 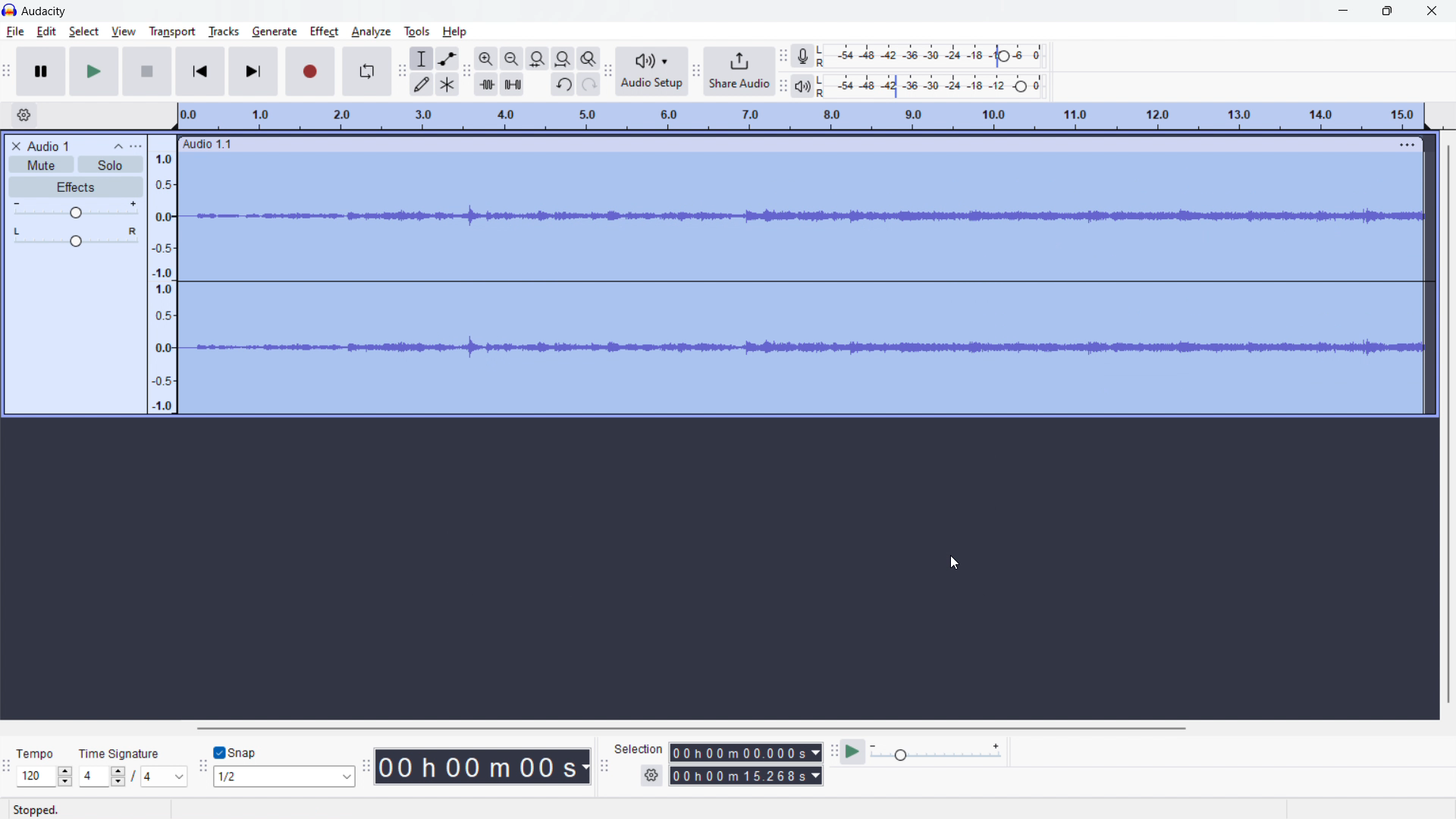 What do you see at coordinates (422, 85) in the screenshot?
I see `draw tool` at bounding box center [422, 85].